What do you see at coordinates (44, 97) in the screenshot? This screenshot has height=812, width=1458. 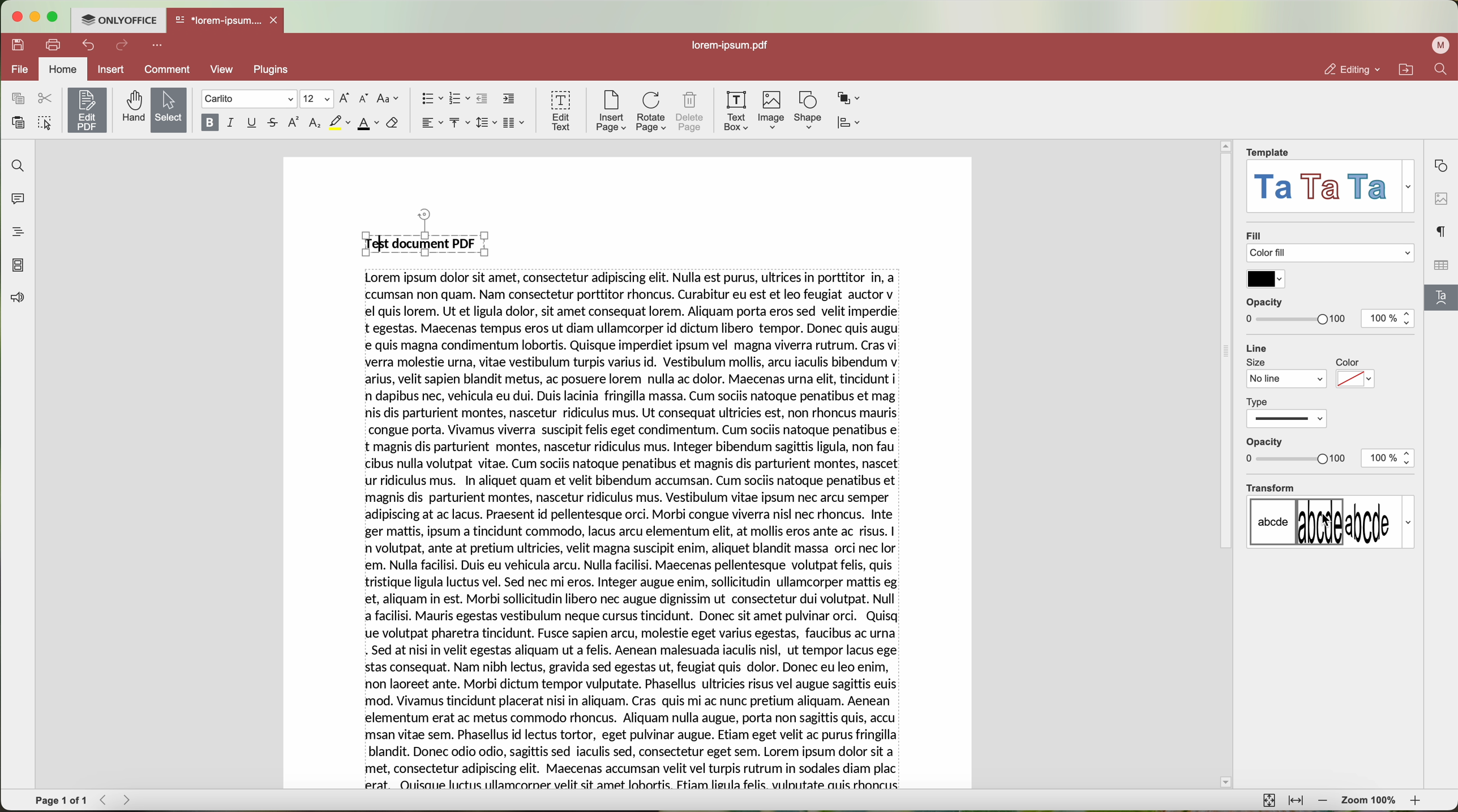 I see `cut` at bounding box center [44, 97].